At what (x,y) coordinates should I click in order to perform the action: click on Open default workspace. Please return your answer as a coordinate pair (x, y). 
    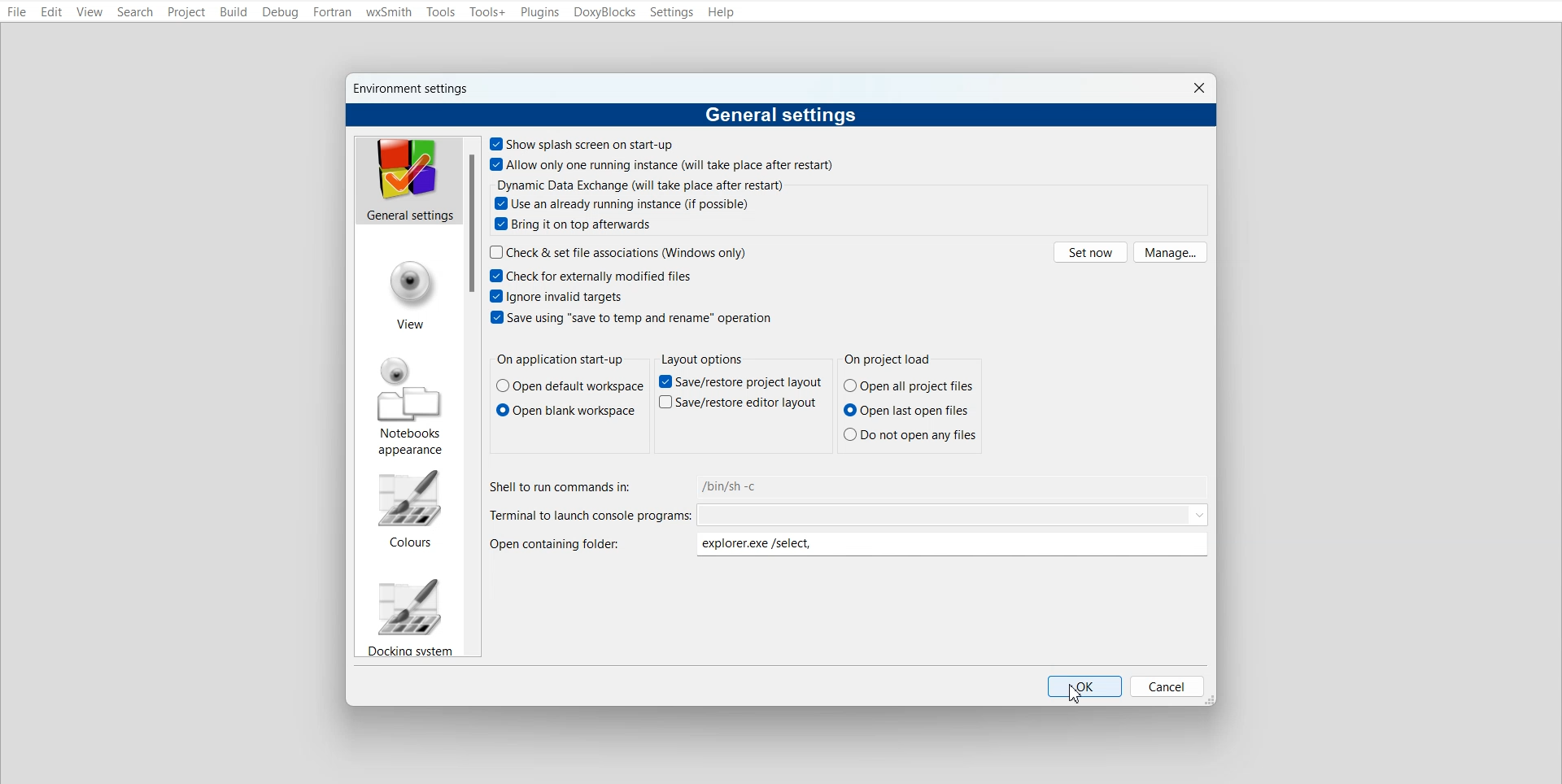
    Looking at the image, I should click on (570, 386).